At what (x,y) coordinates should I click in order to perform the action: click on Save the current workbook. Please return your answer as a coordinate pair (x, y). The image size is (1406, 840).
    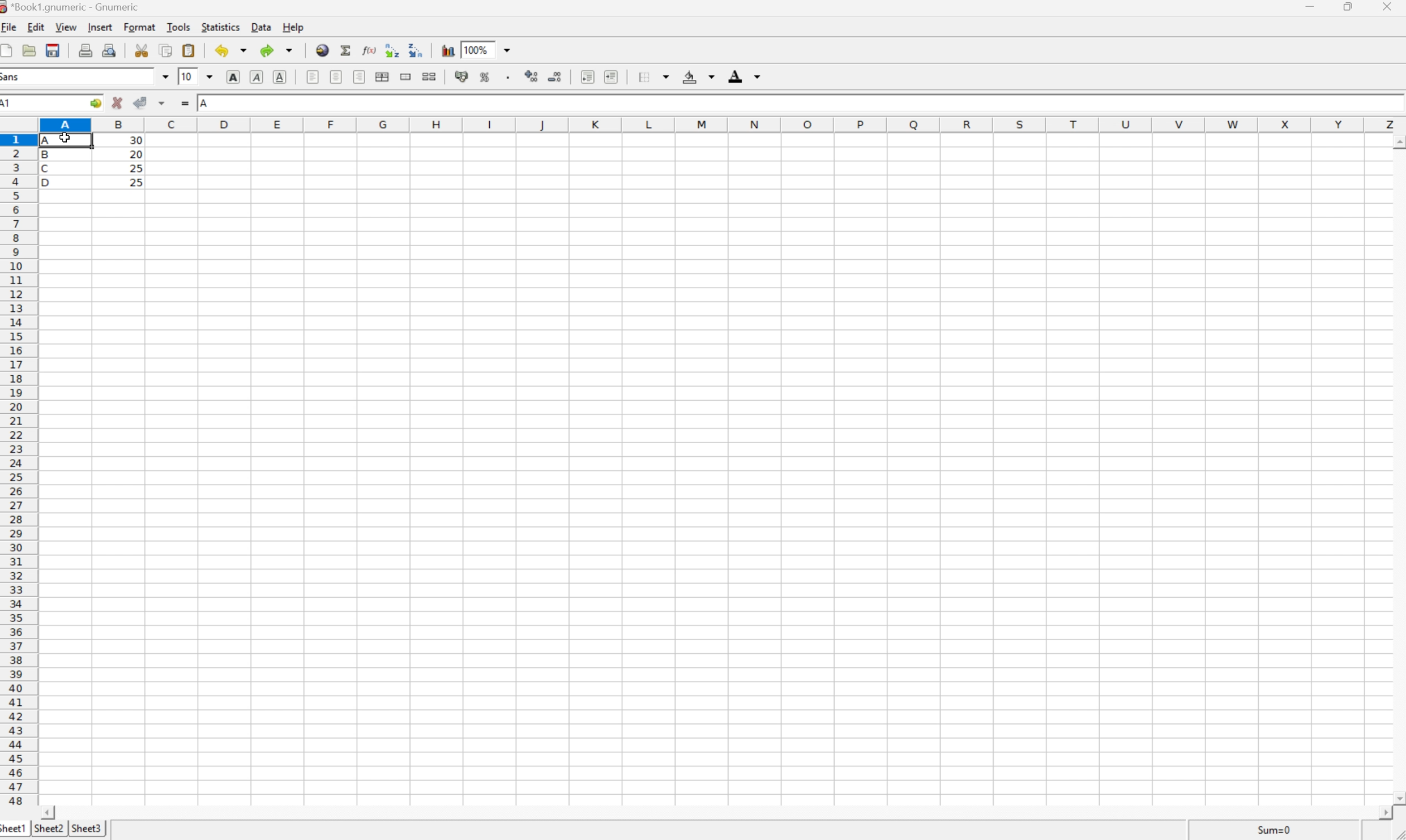
    Looking at the image, I should click on (52, 50).